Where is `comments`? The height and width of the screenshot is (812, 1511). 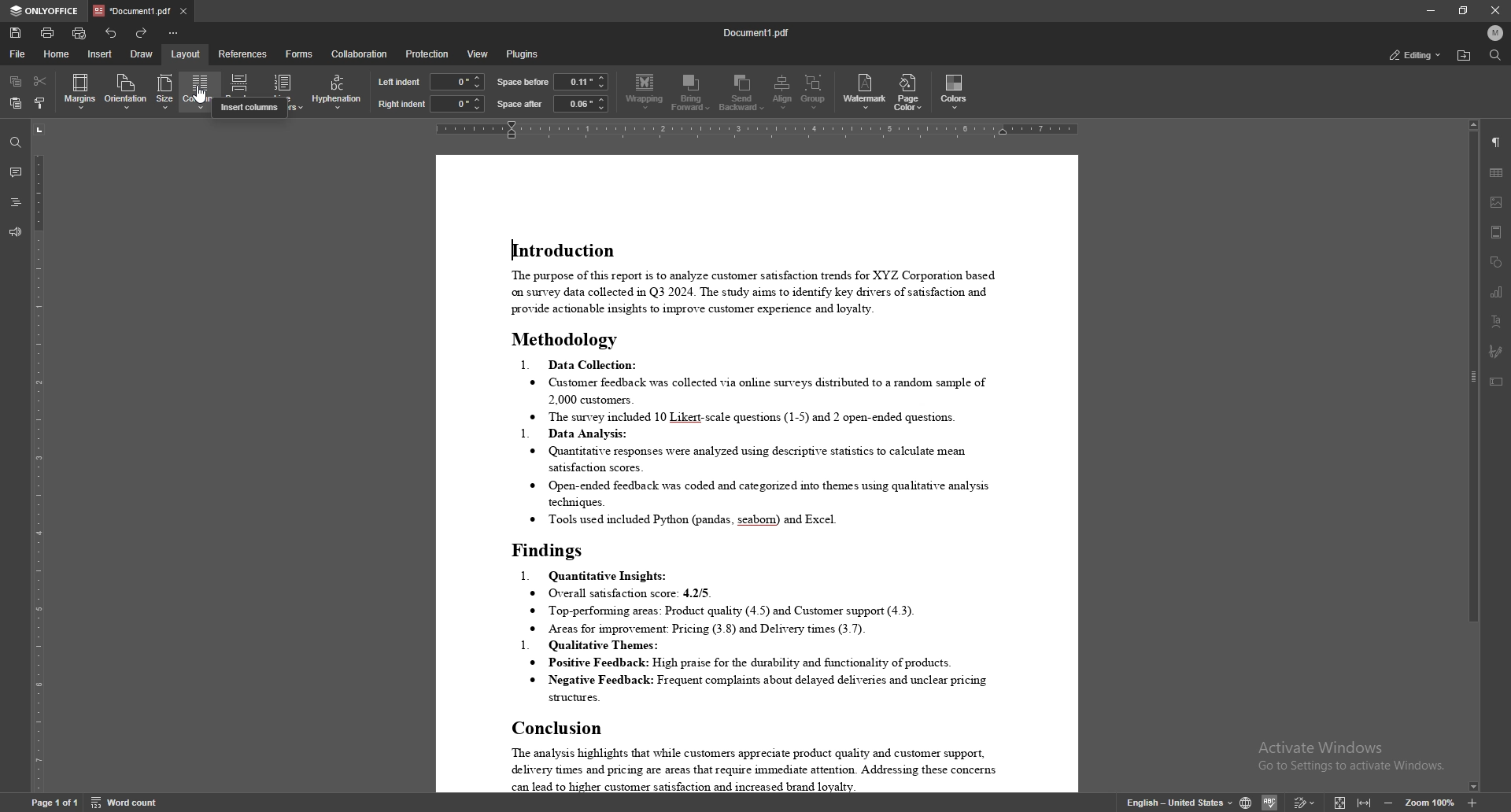 comments is located at coordinates (16, 172).